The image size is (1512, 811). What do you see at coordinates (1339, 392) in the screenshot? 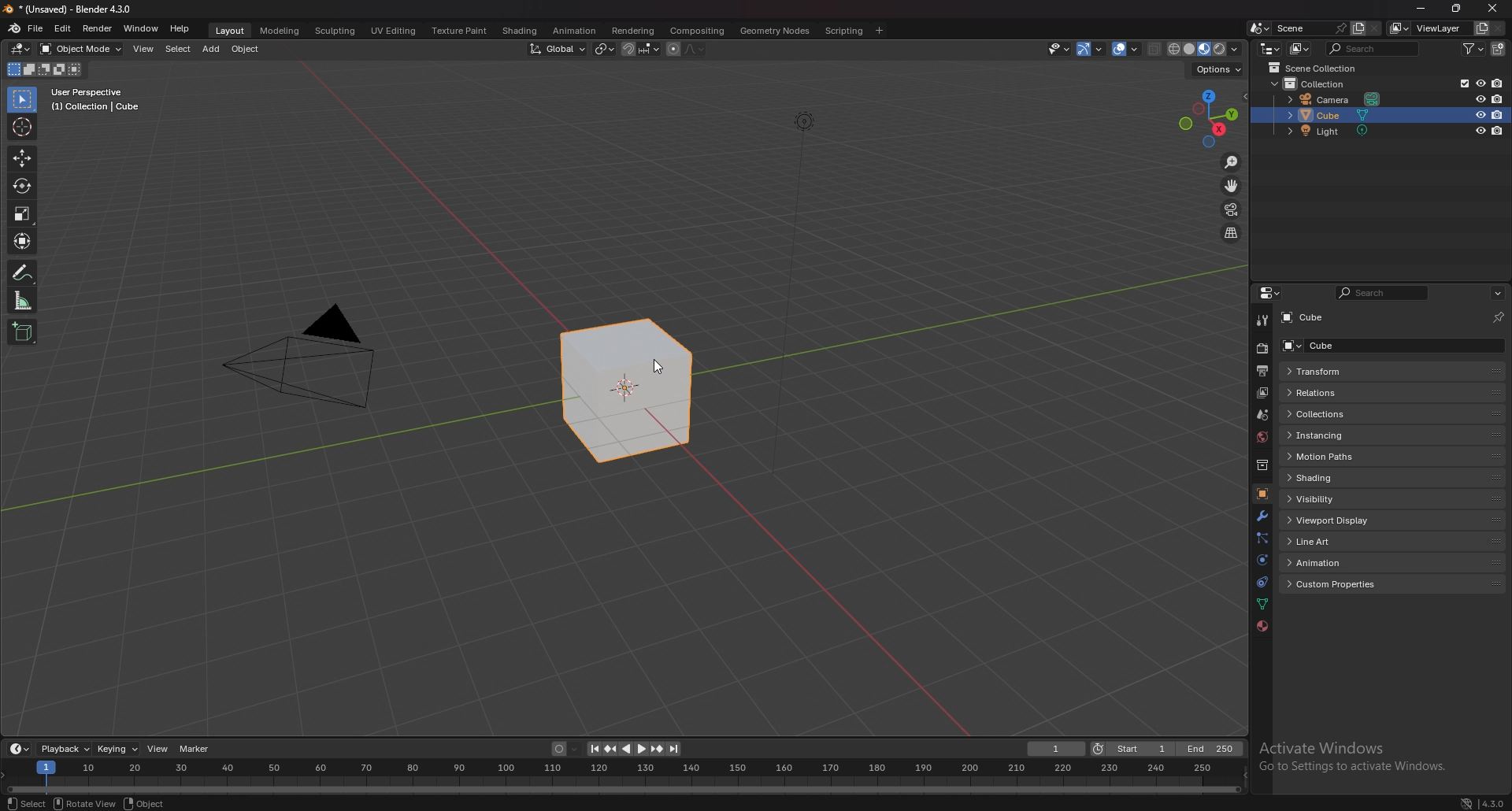
I see `relations` at bounding box center [1339, 392].